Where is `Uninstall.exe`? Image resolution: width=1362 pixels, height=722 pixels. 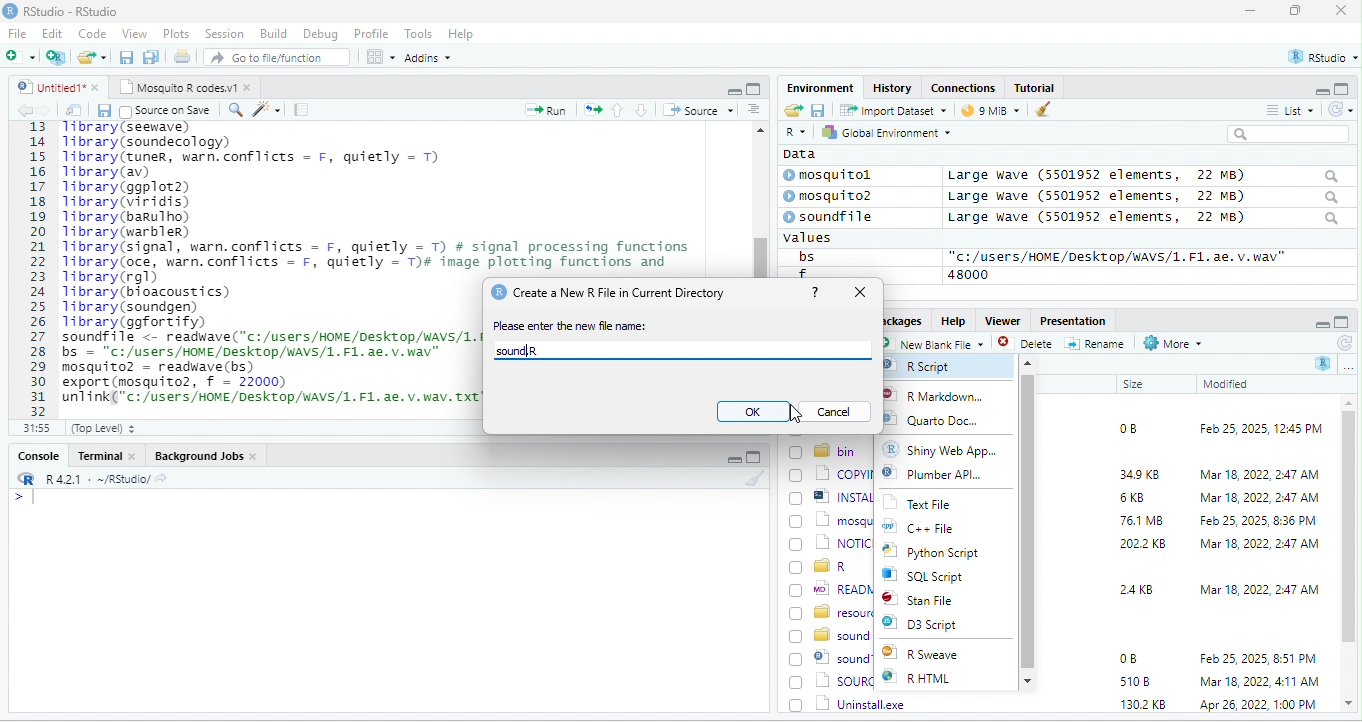 Uninstall.exe is located at coordinates (849, 703).